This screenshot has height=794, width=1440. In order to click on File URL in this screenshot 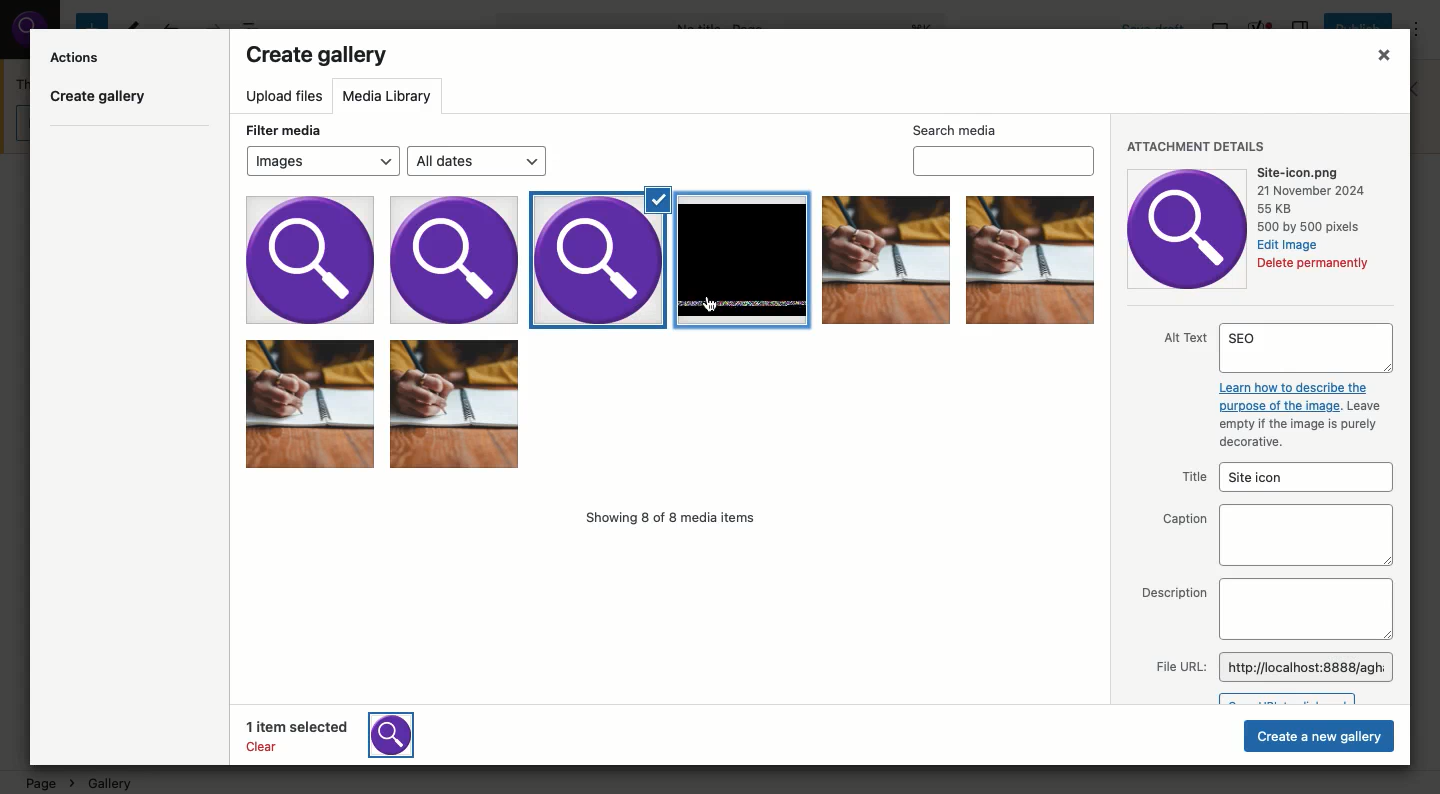, I will do `click(1271, 667)`.